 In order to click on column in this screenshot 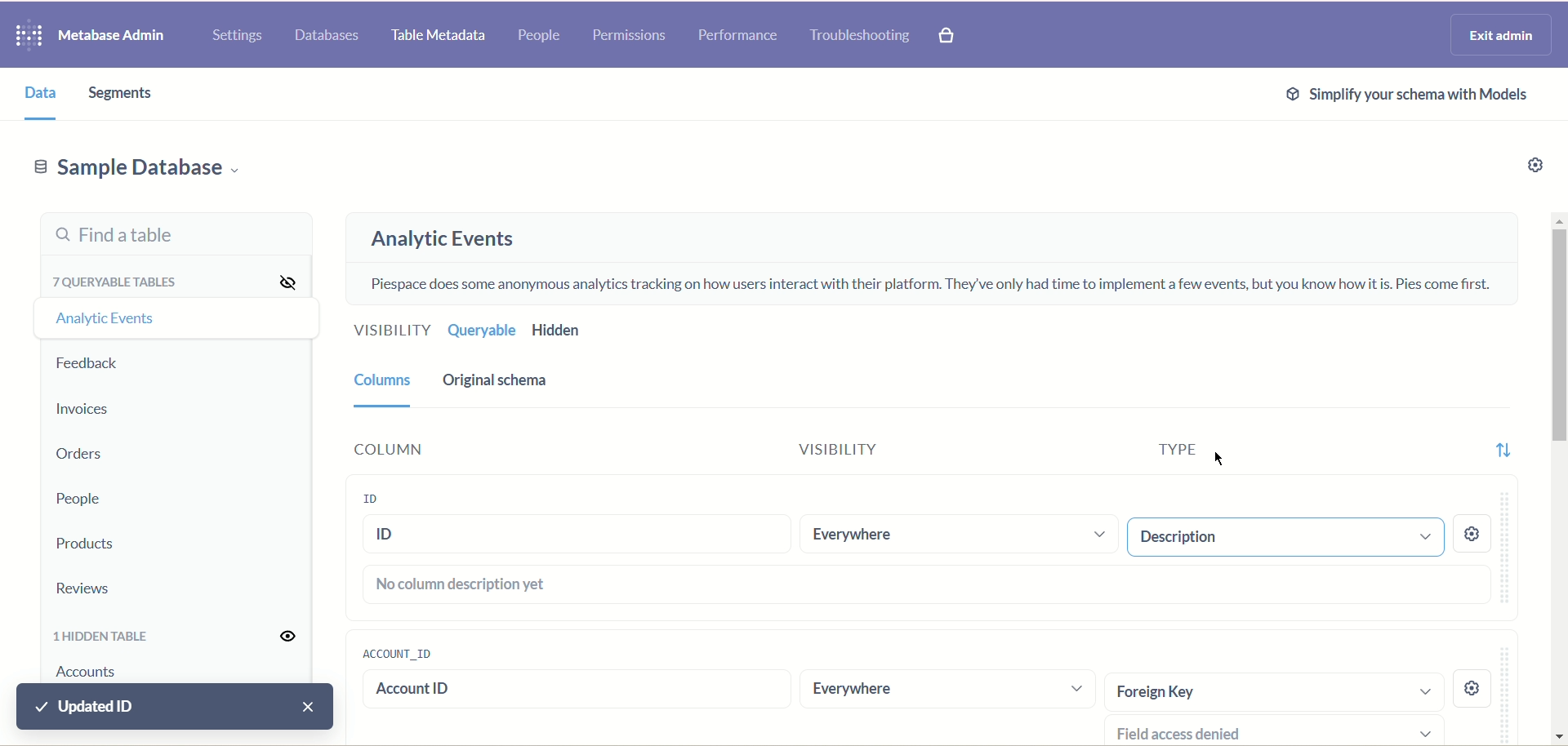, I will do `click(385, 446)`.